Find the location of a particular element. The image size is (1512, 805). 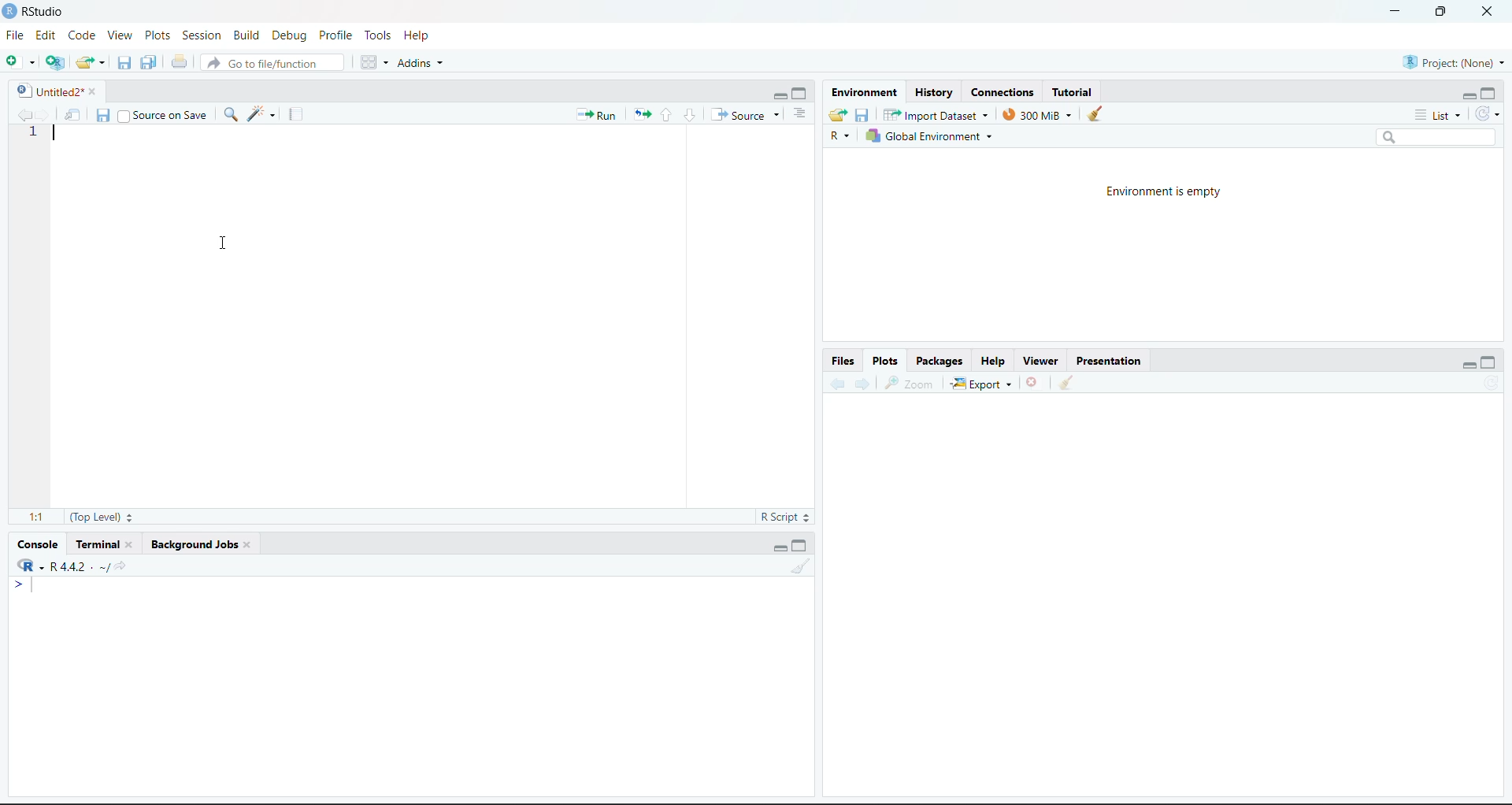

go to next section/chunk is located at coordinates (688, 116).